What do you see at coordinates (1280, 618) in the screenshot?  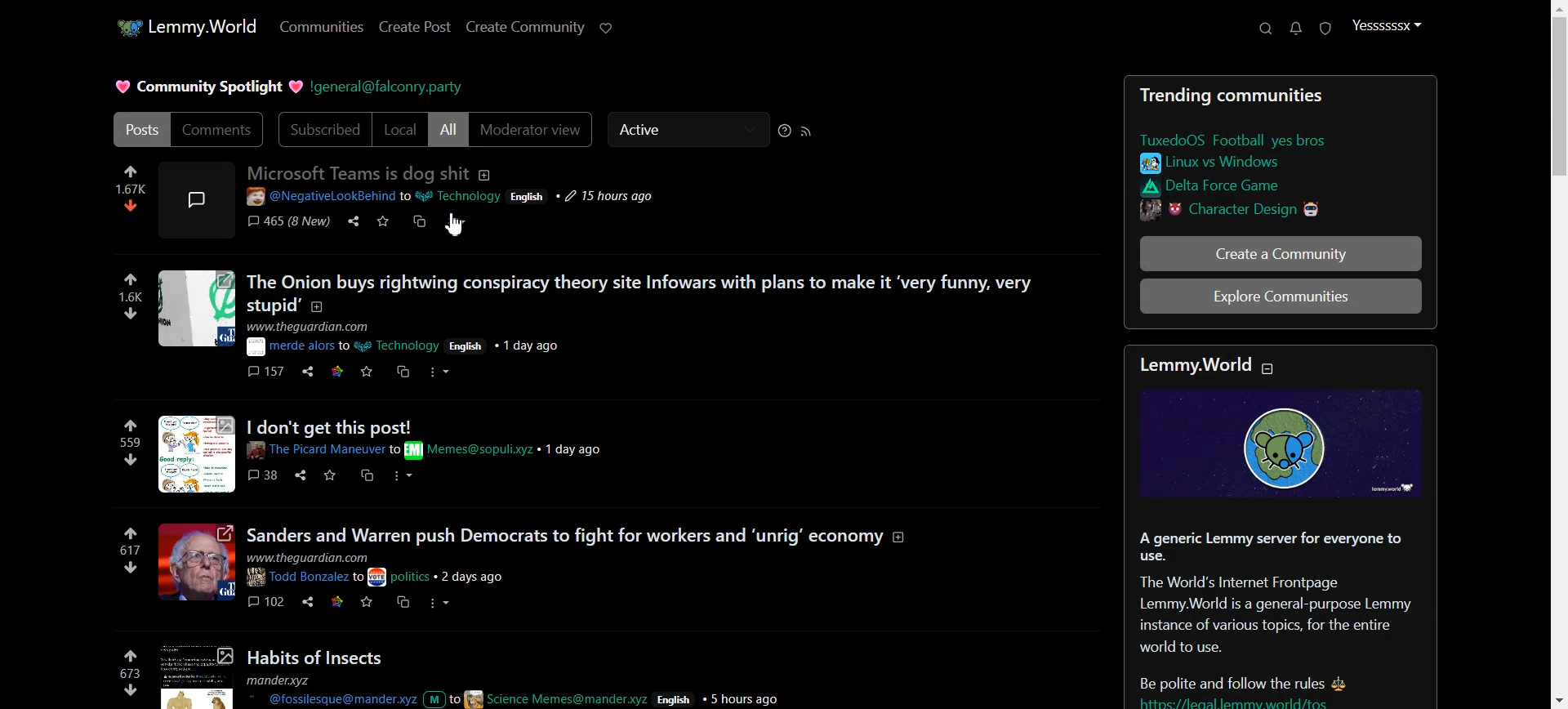 I see `Posts` at bounding box center [1280, 618].